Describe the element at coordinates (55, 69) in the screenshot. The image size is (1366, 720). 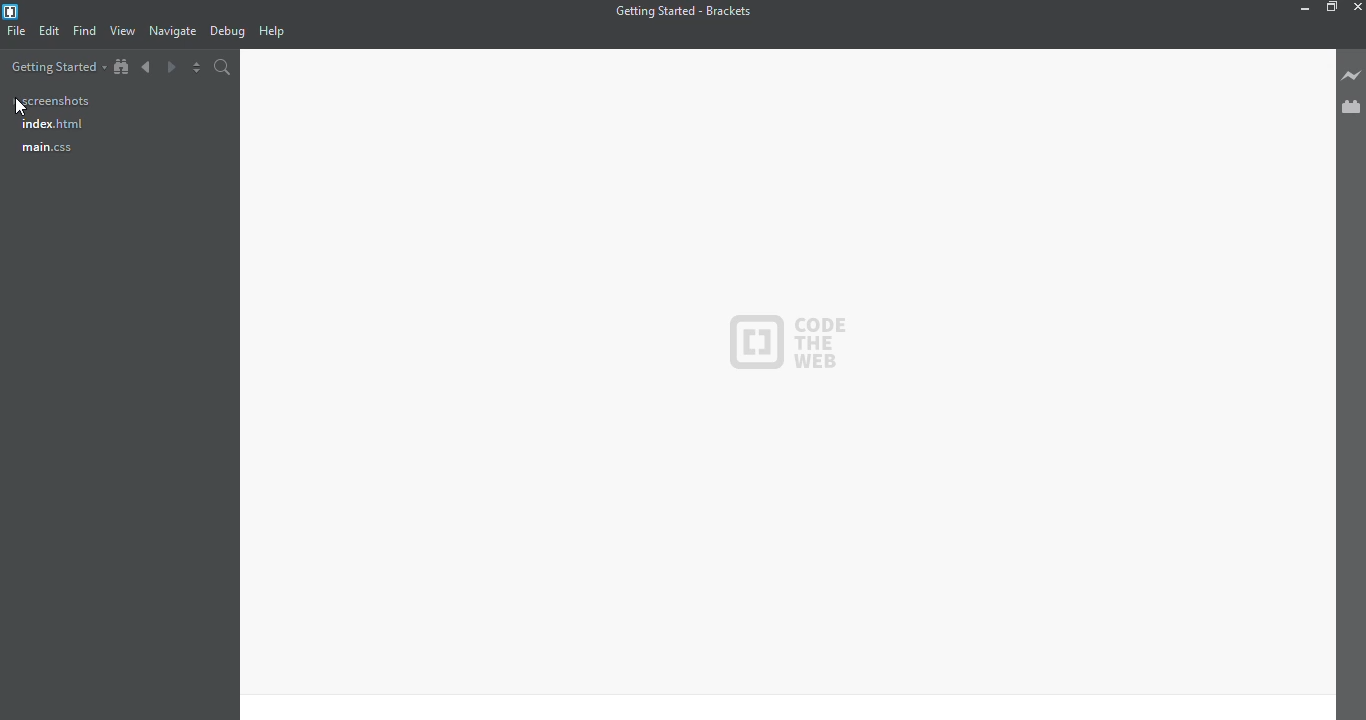
I see `getting started` at that location.